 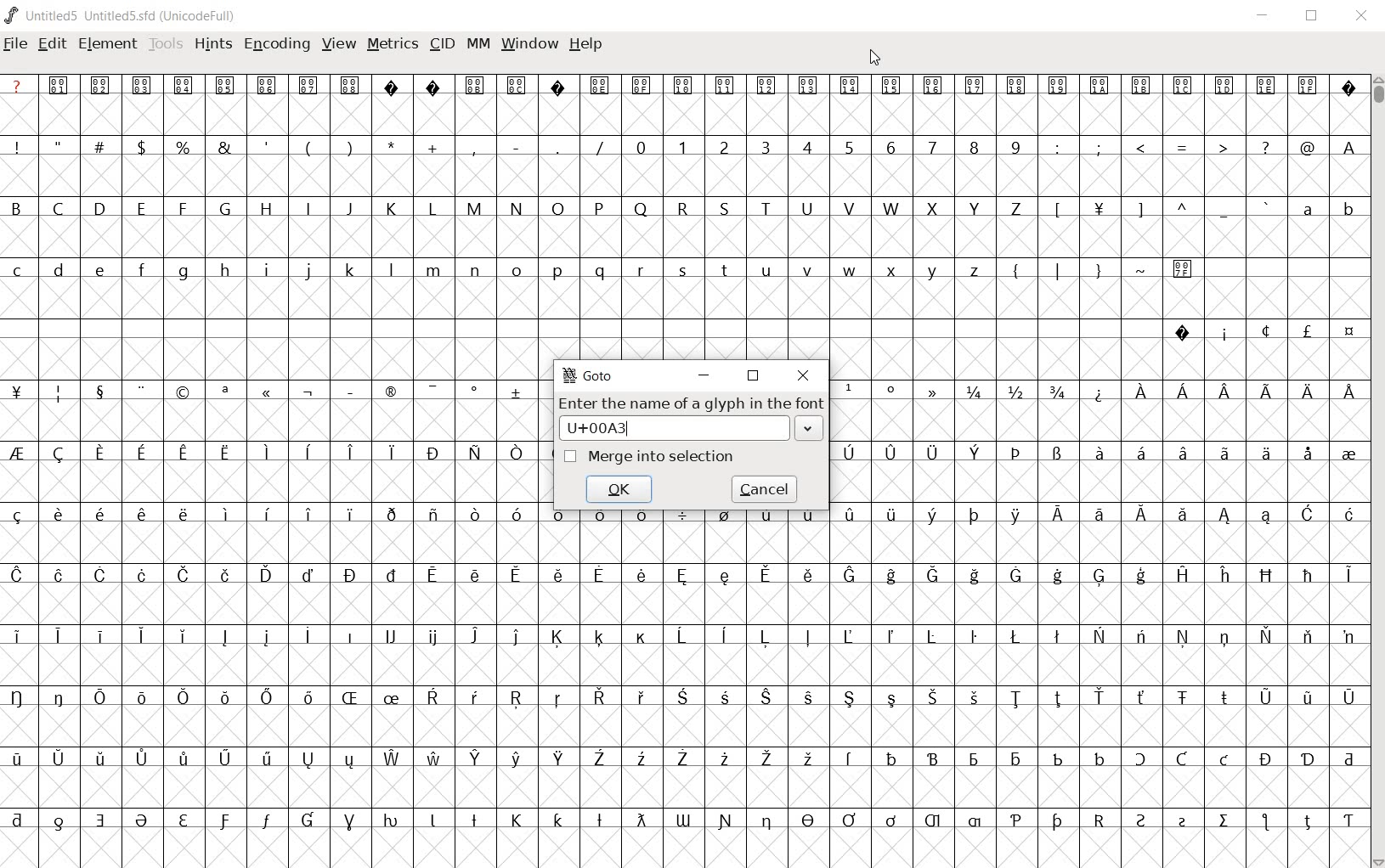 I want to click on Symbol, so click(x=476, y=85).